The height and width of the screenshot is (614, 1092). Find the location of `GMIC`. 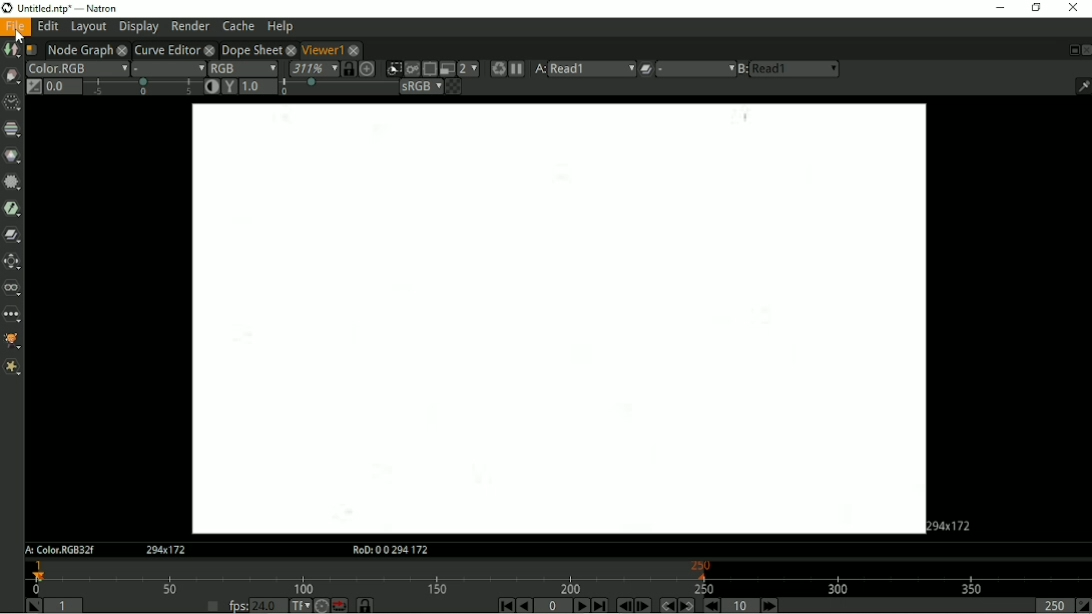

GMIC is located at coordinates (13, 341).